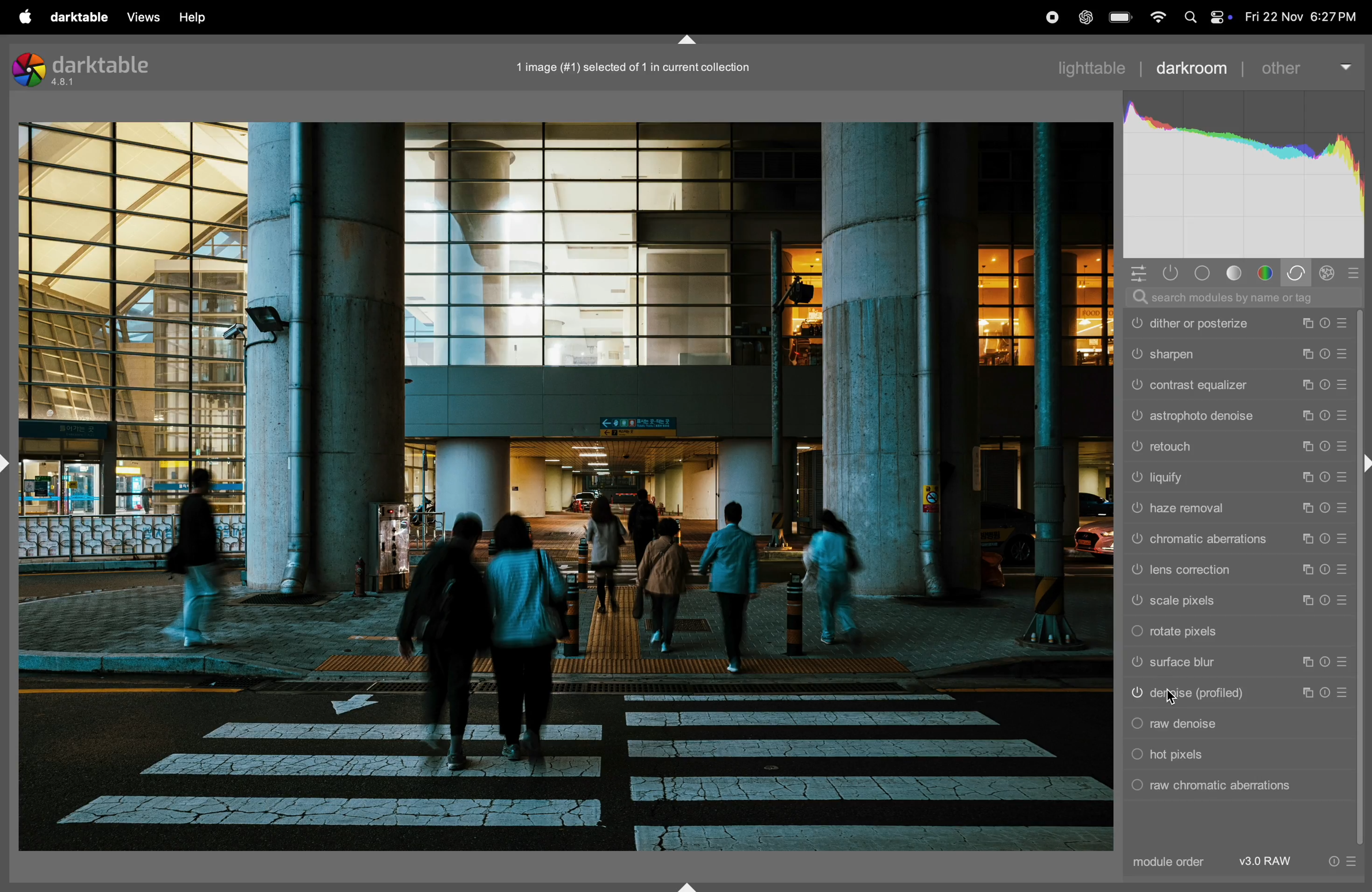 The height and width of the screenshot is (892, 1372). I want to click on retouch, so click(1238, 447).